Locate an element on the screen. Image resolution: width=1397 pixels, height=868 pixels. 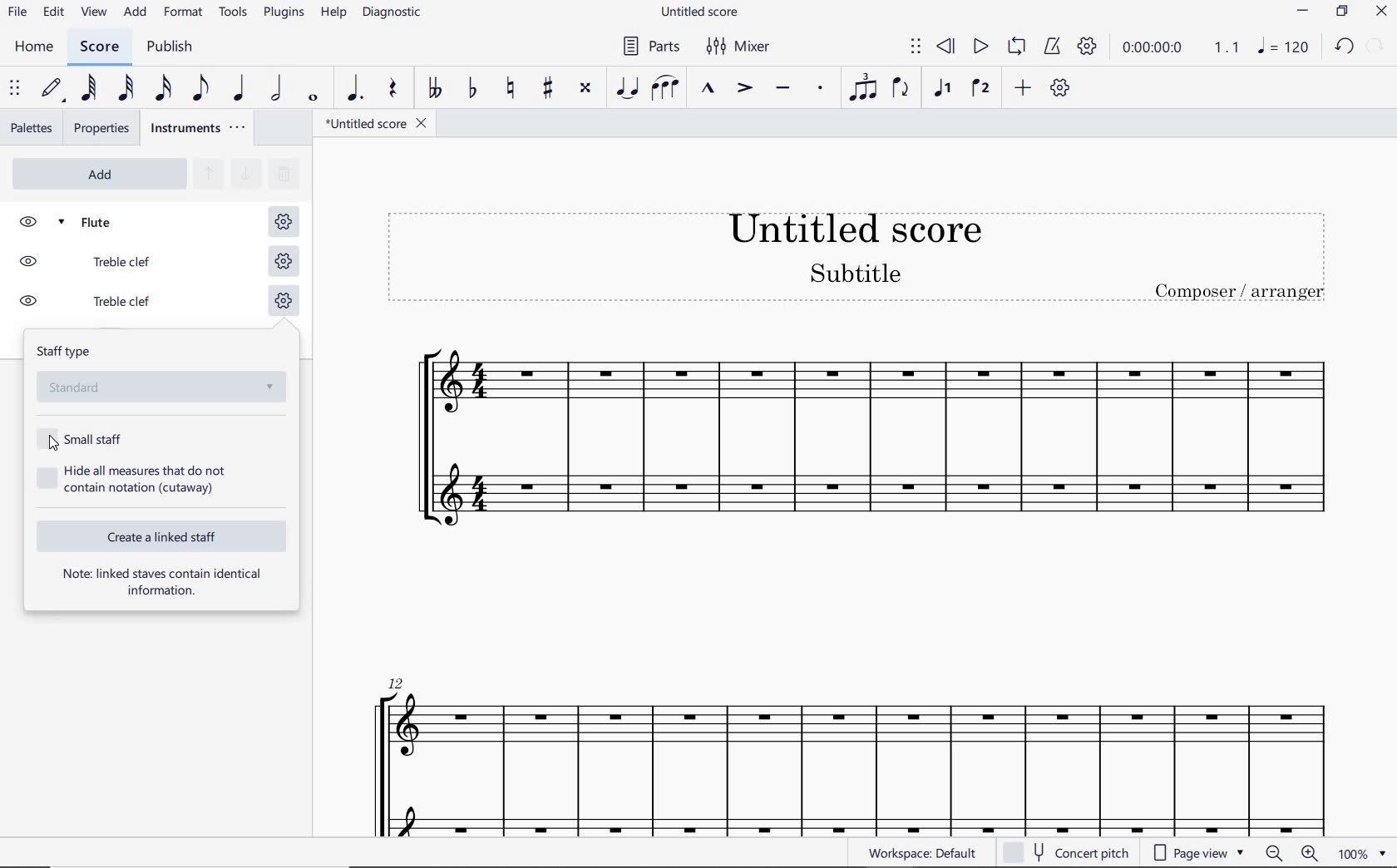
TREBLE CLEF is located at coordinates (102, 261).